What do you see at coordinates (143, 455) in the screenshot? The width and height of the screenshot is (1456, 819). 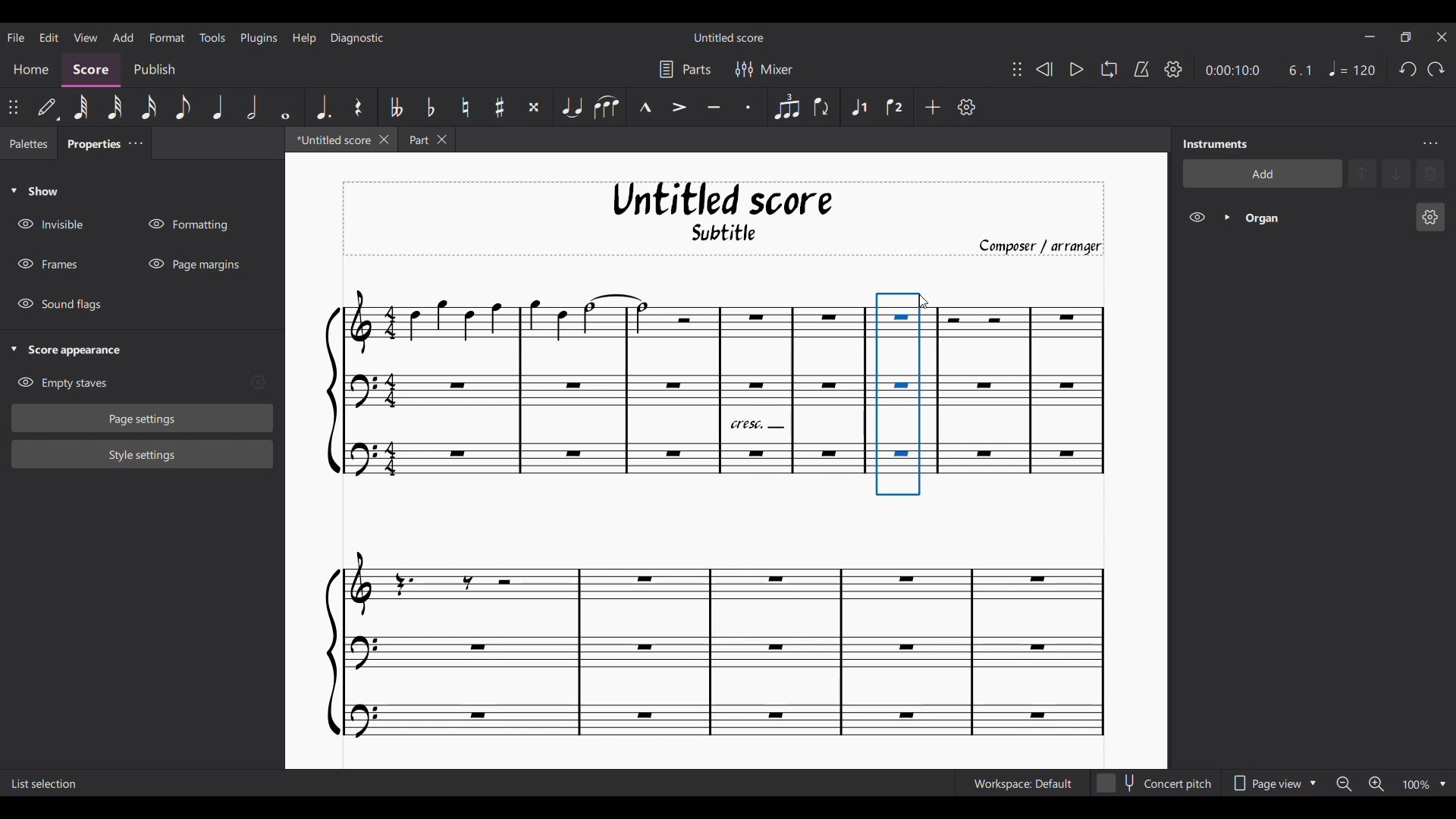 I see `Style settings` at bounding box center [143, 455].